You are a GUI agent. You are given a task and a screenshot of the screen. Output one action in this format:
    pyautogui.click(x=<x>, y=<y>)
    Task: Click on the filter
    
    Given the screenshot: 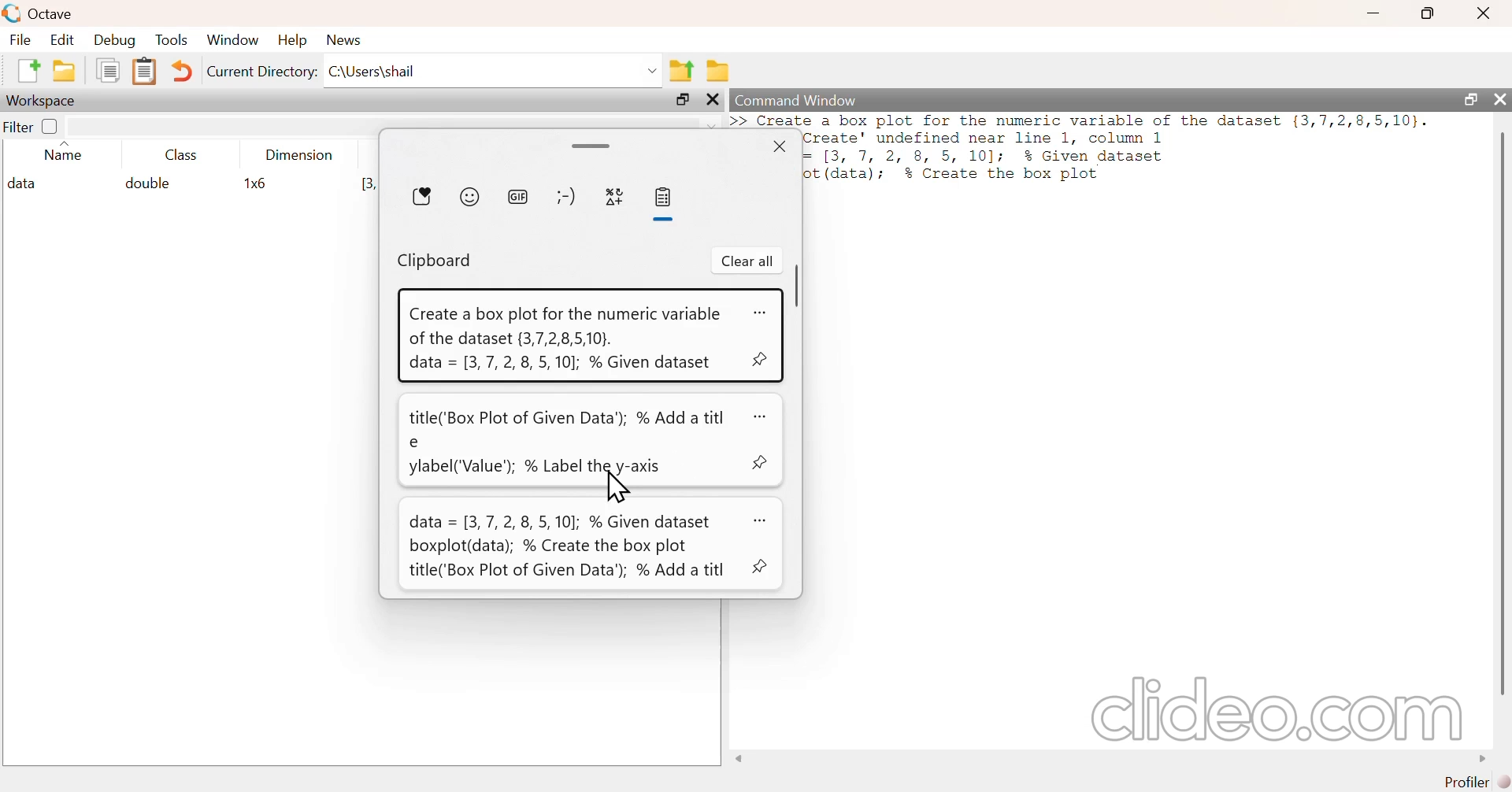 What is the action you would take?
    pyautogui.click(x=32, y=126)
    